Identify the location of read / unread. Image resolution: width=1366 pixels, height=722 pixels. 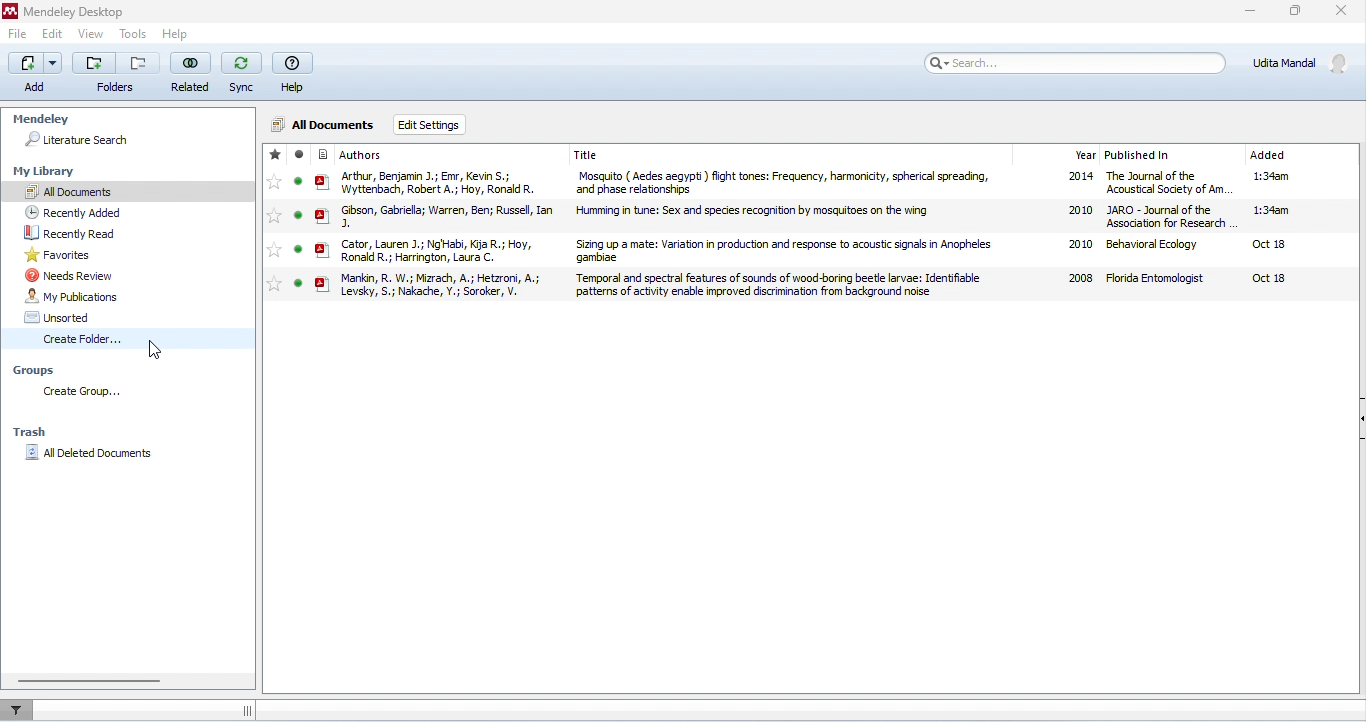
(302, 155).